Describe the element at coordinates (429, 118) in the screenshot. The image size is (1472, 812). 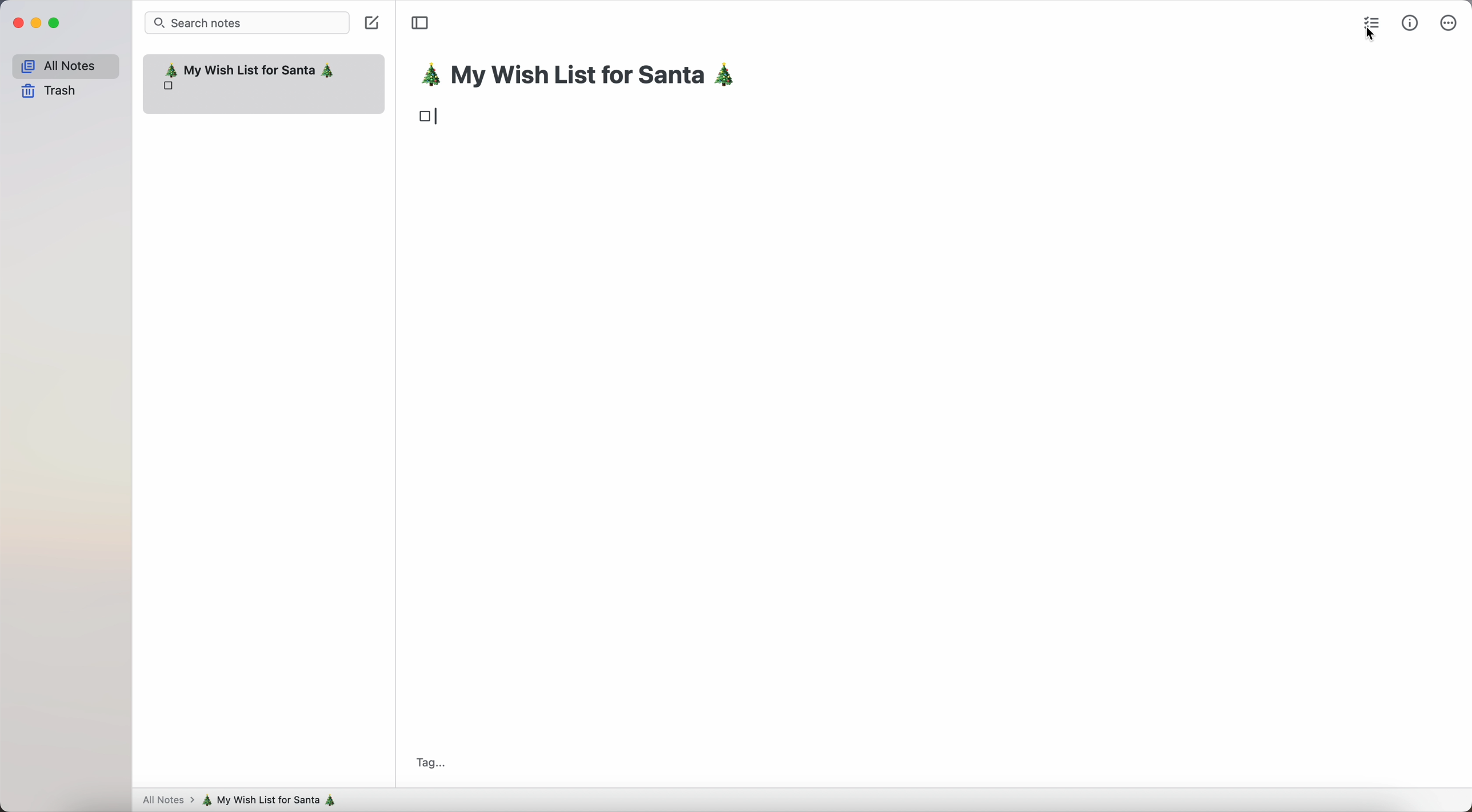
I see `checkbox` at that location.